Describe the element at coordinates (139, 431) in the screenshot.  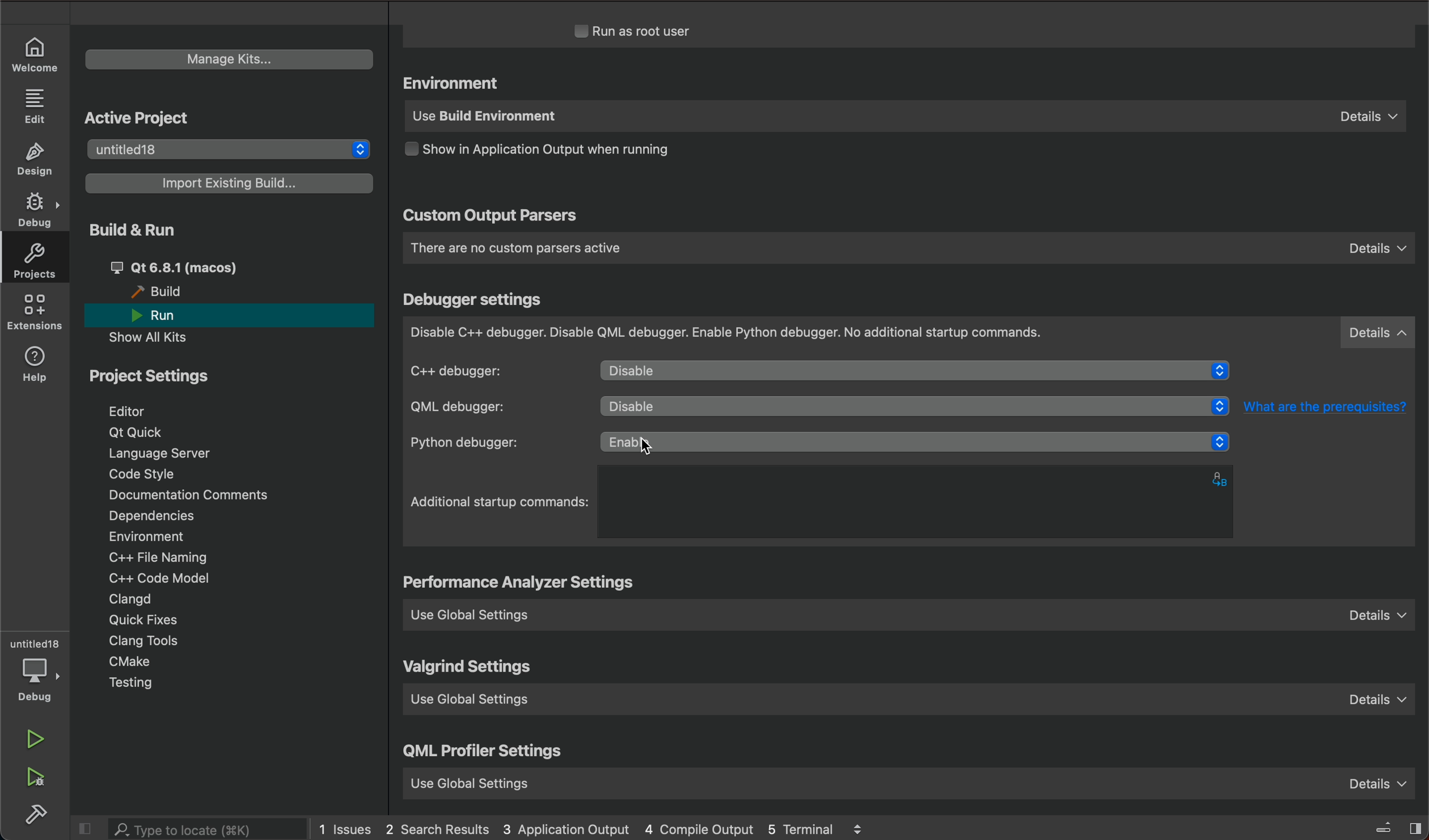
I see `qt ` at that location.